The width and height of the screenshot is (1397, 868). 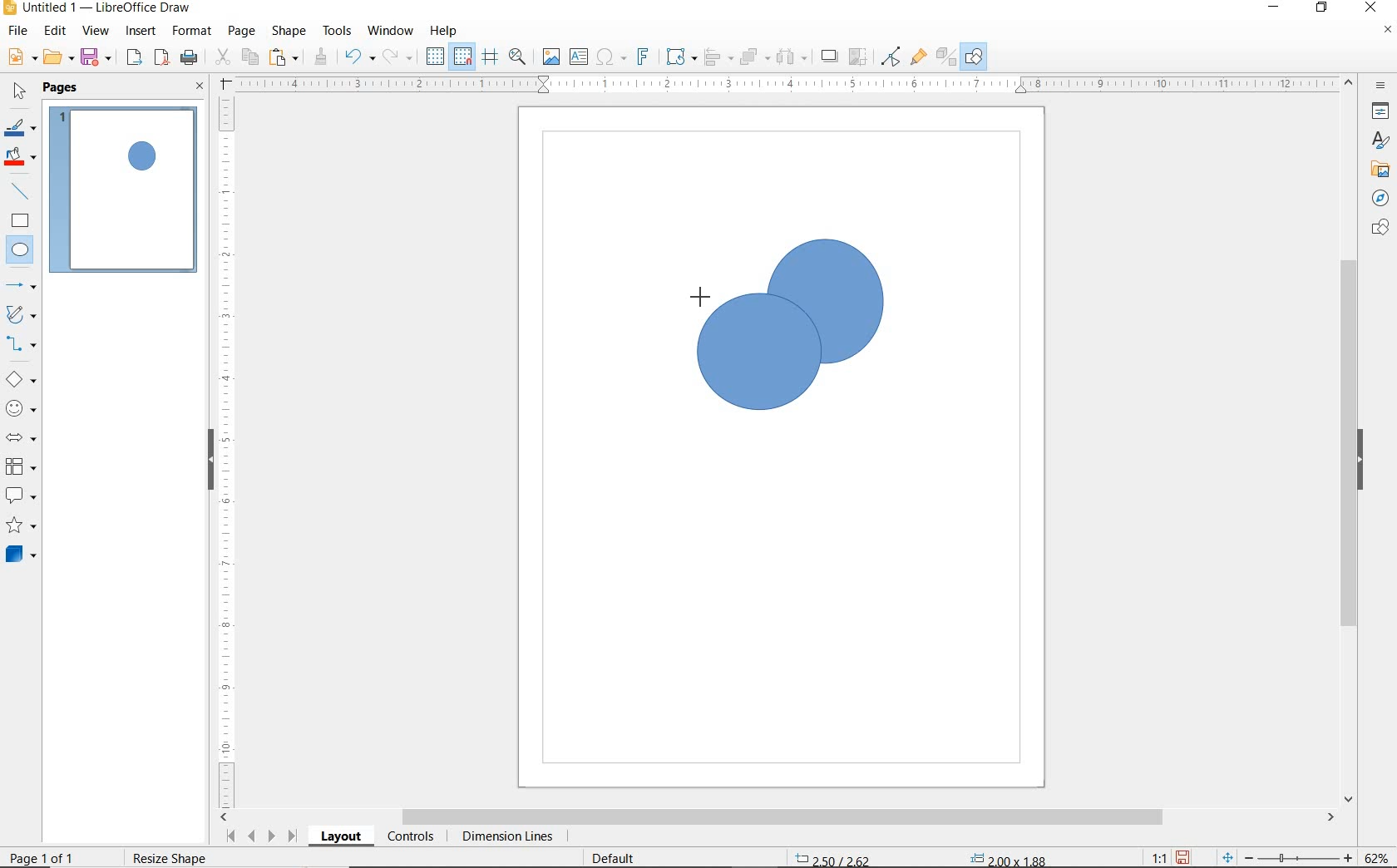 I want to click on DRAWN CIRCLE, so click(x=824, y=300).